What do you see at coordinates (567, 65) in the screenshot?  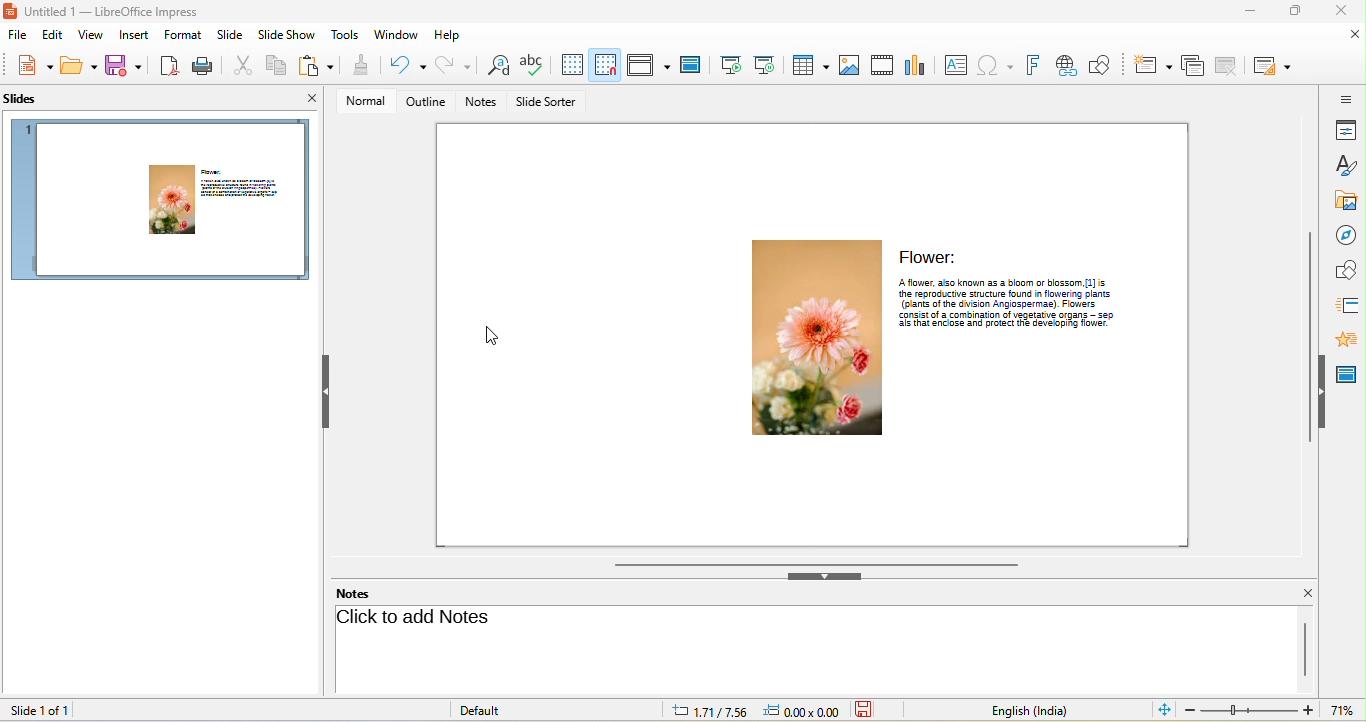 I see `display to grid` at bounding box center [567, 65].